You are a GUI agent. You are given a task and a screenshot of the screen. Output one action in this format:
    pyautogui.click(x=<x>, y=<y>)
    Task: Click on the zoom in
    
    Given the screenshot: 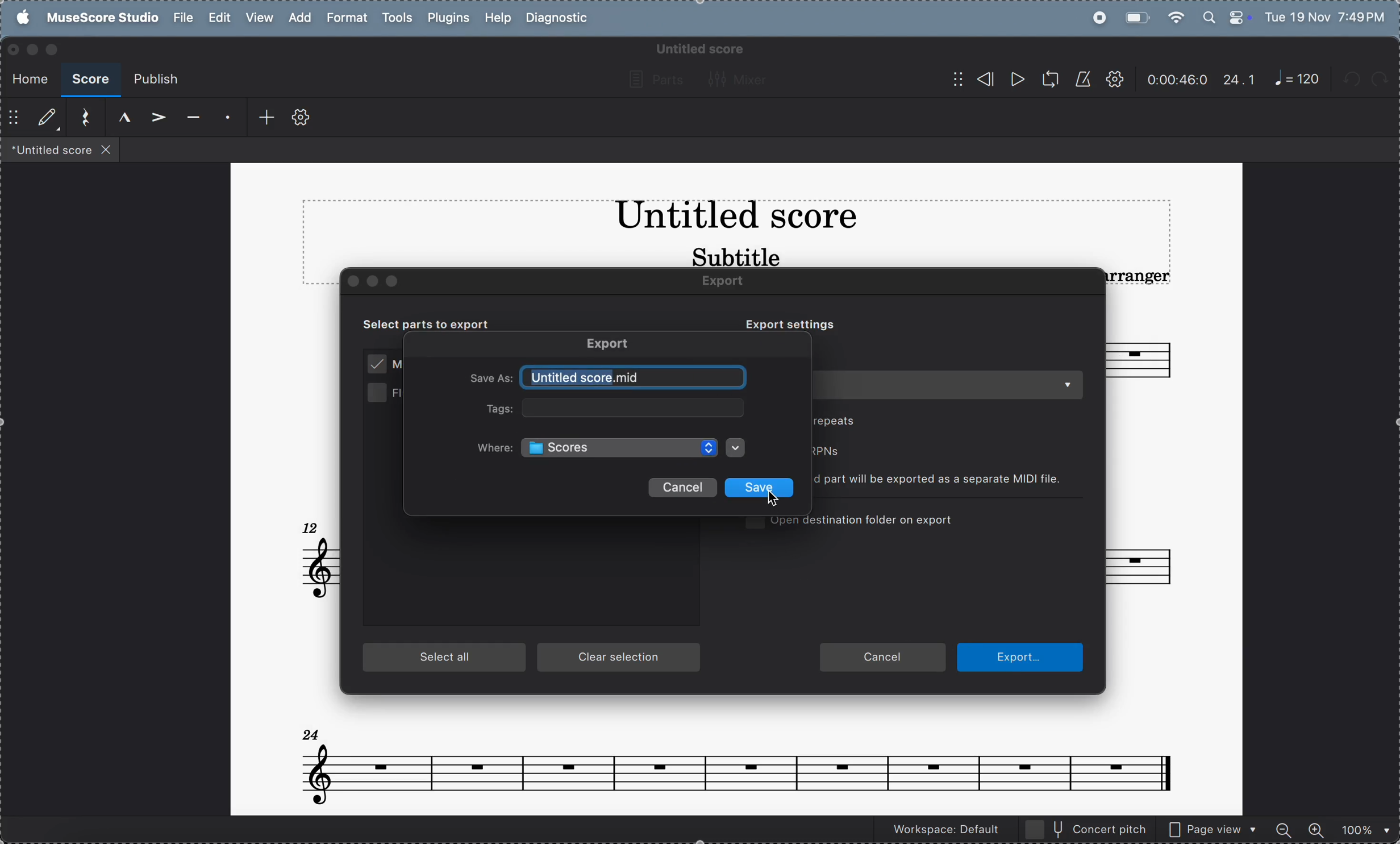 What is the action you would take?
    pyautogui.click(x=1315, y=828)
    